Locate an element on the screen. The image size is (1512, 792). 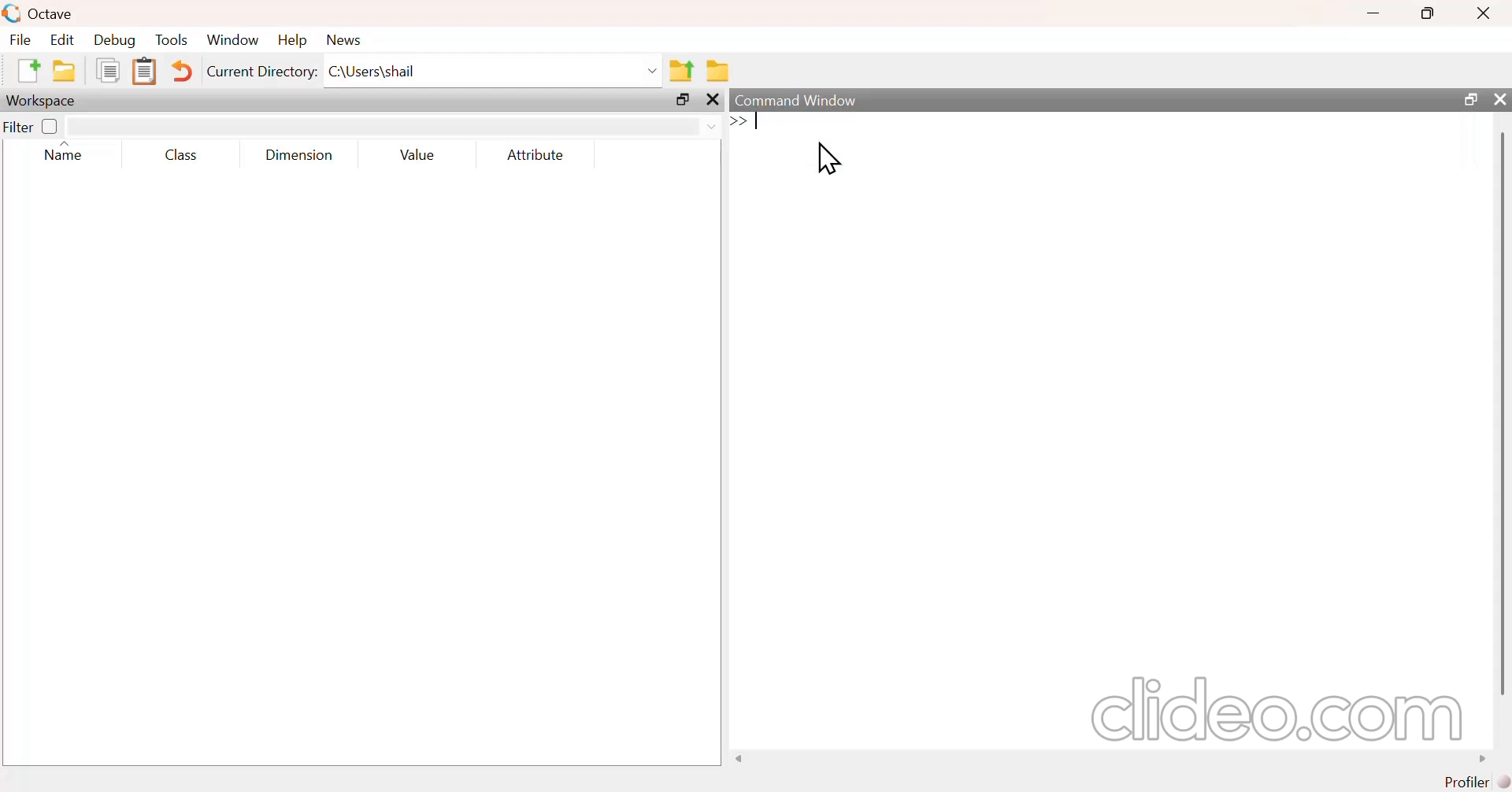
undo is located at coordinates (186, 69).